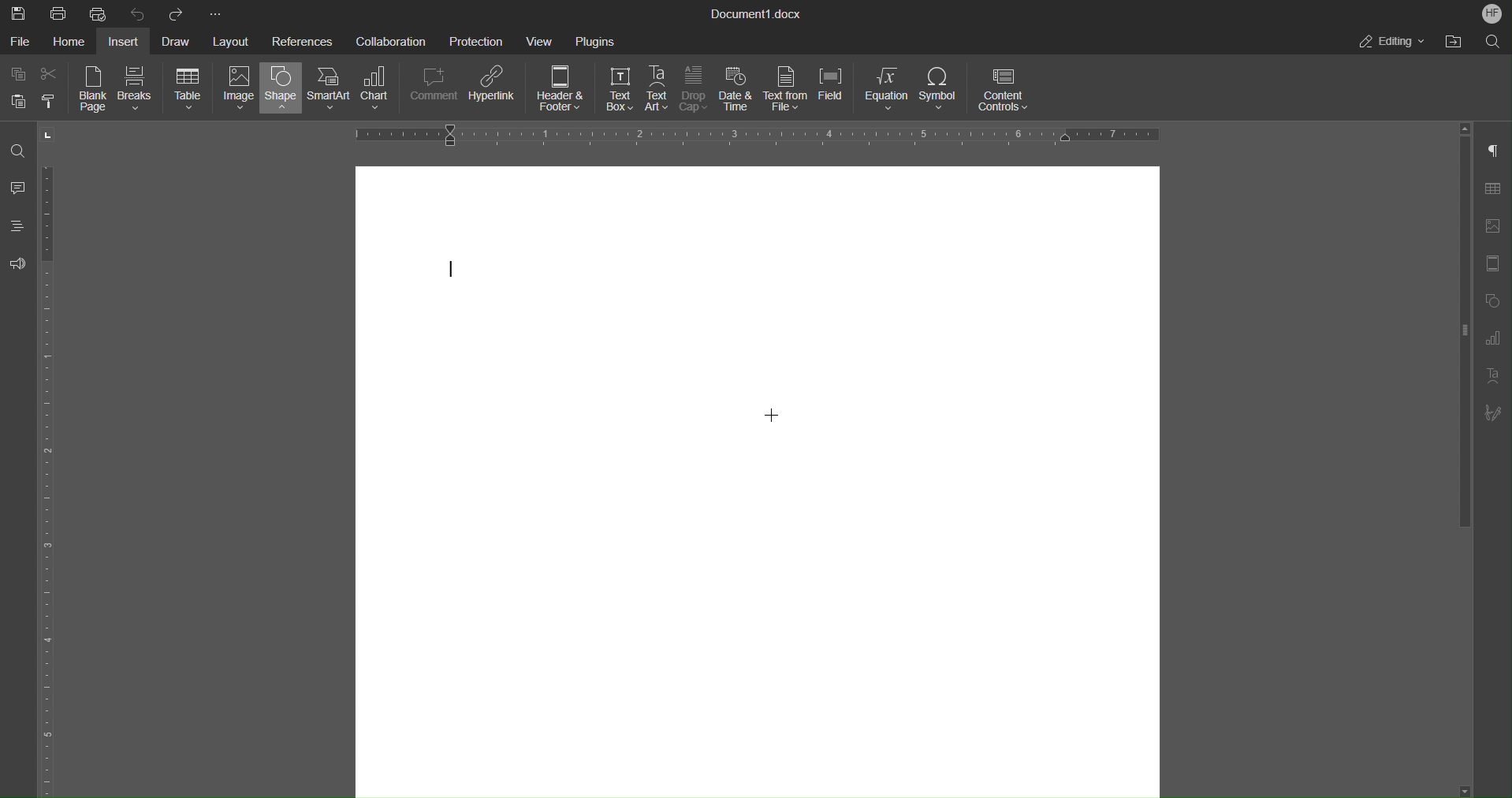 The image size is (1512, 798). Describe the element at coordinates (19, 189) in the screenshot. I see `Comments` at that location.